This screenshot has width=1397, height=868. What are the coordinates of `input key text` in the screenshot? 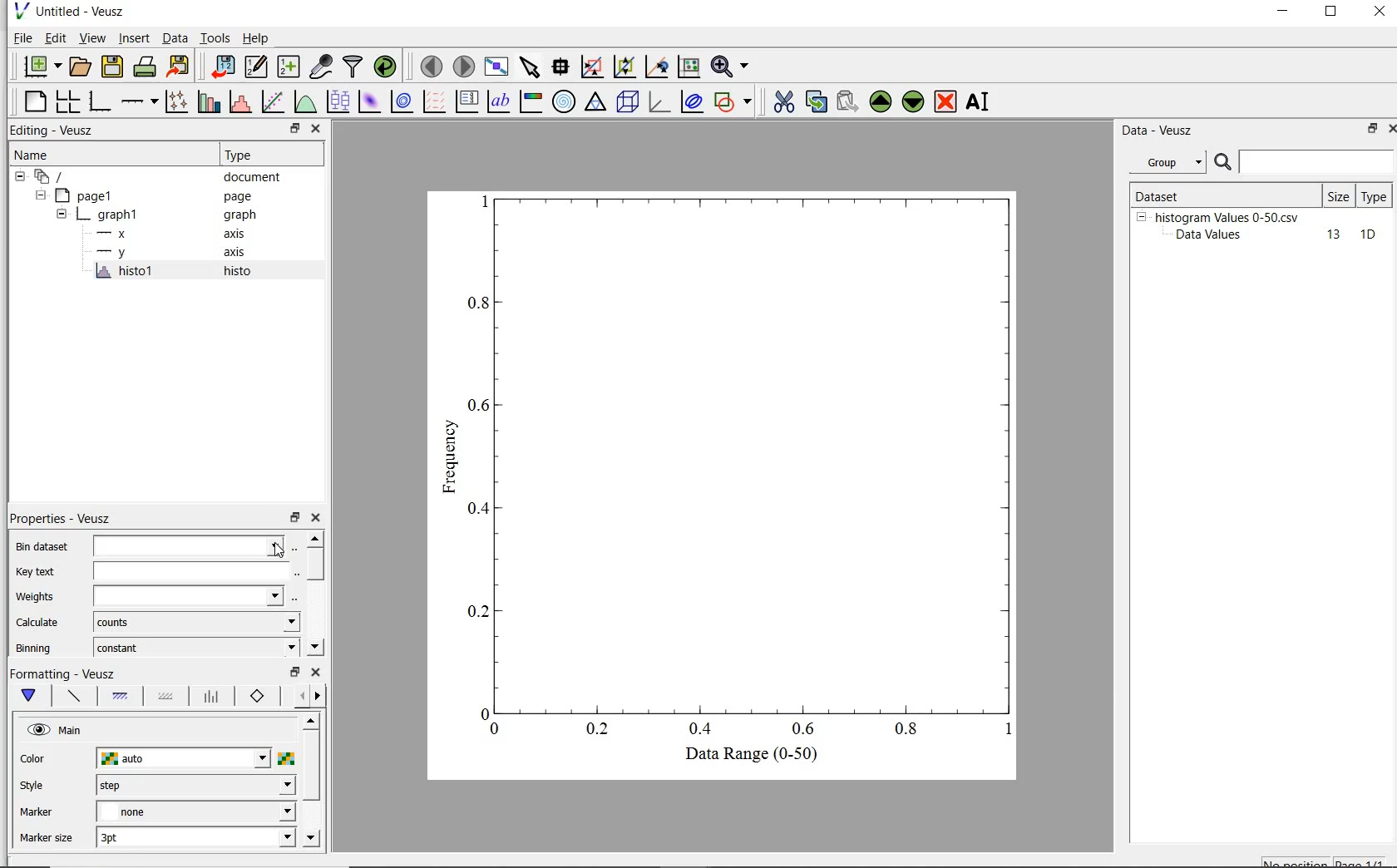 It's located at (190, 572).